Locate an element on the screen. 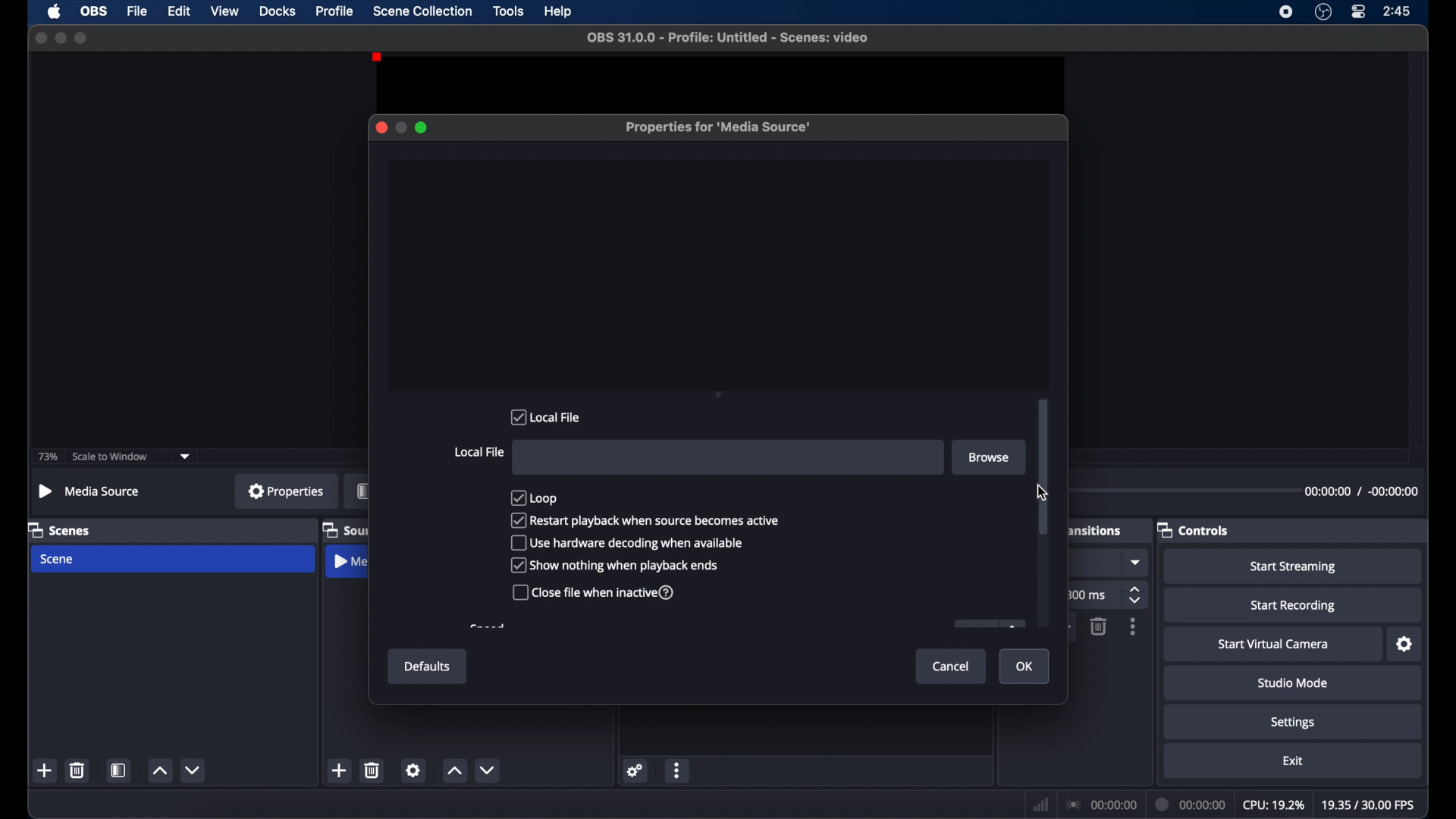 The image size is (1456, 819). media source is located at coordinates (88, 491).